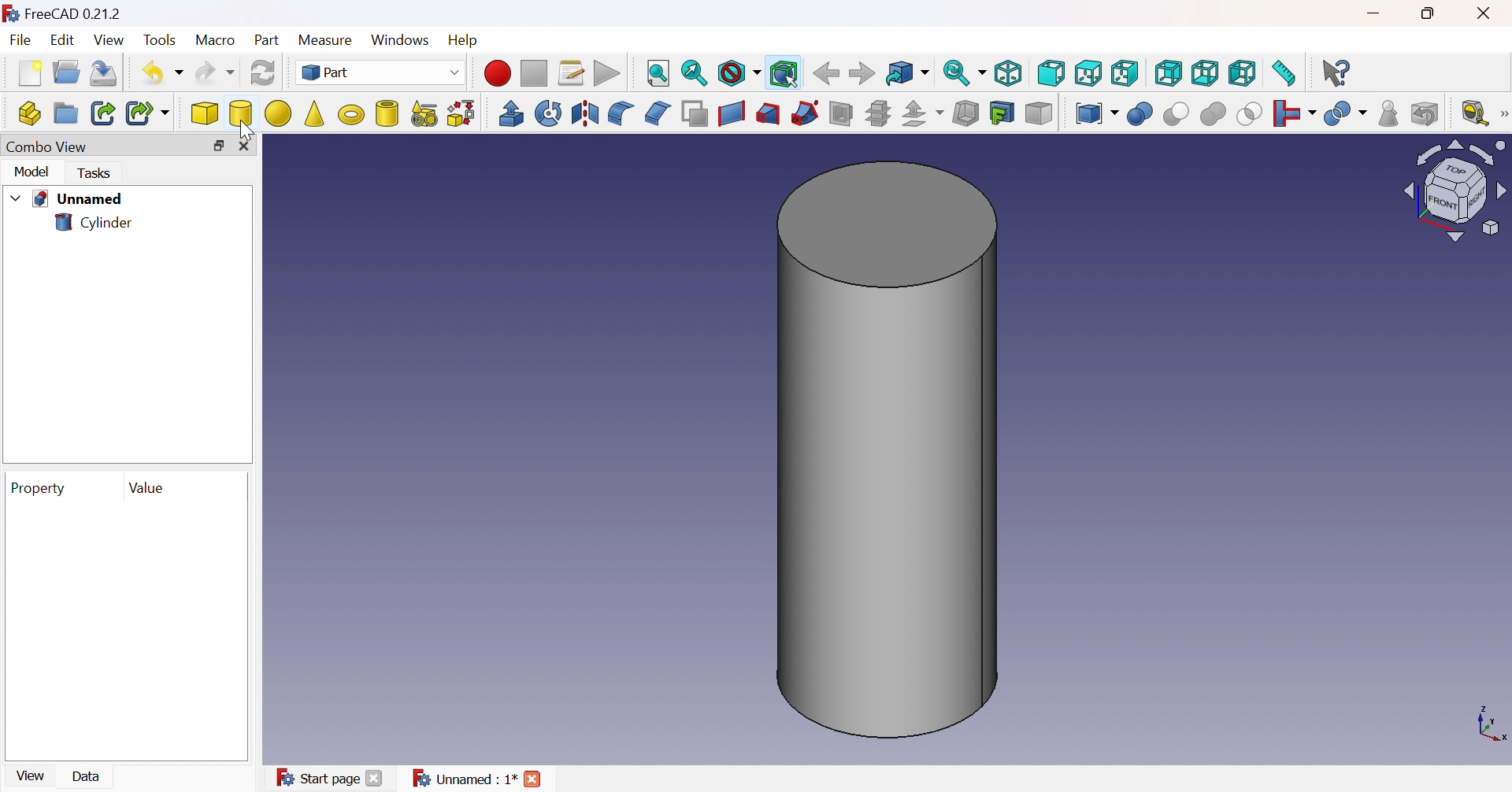 This screenshot has width=1512, height=792. Describe the element at coordinates (1125, 75) in the screenshot. I see `Right` at that location.